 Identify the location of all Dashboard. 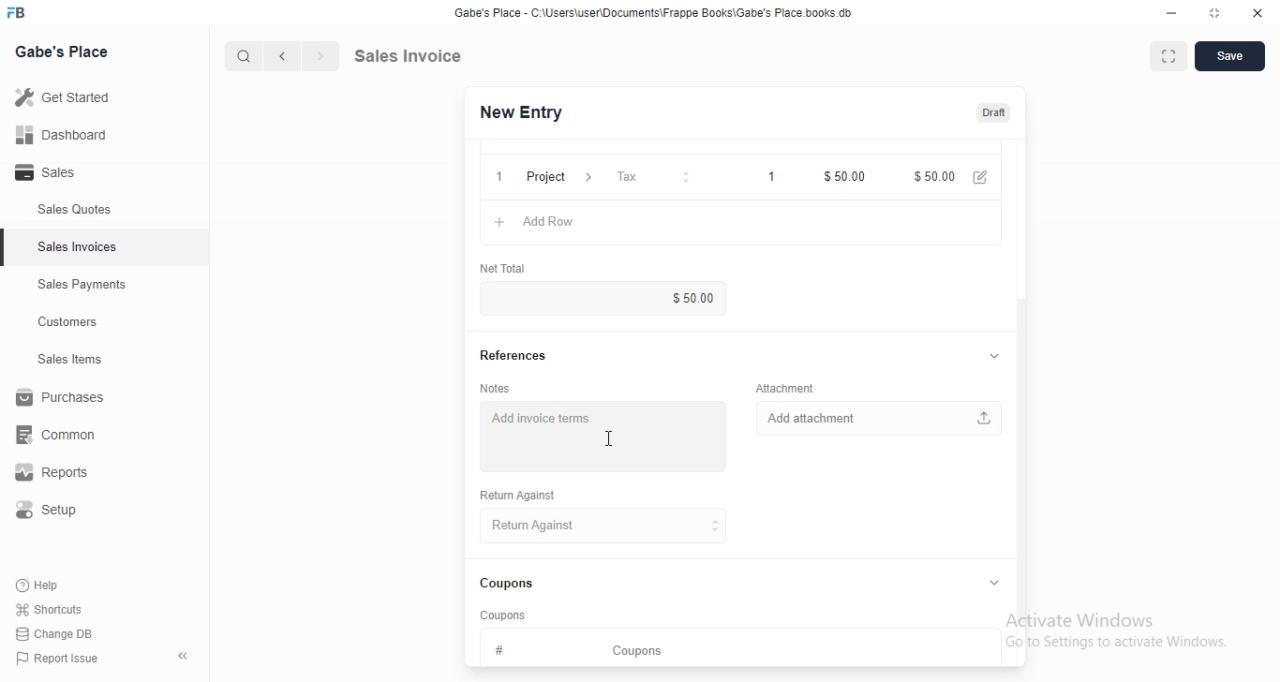
(69, 141).